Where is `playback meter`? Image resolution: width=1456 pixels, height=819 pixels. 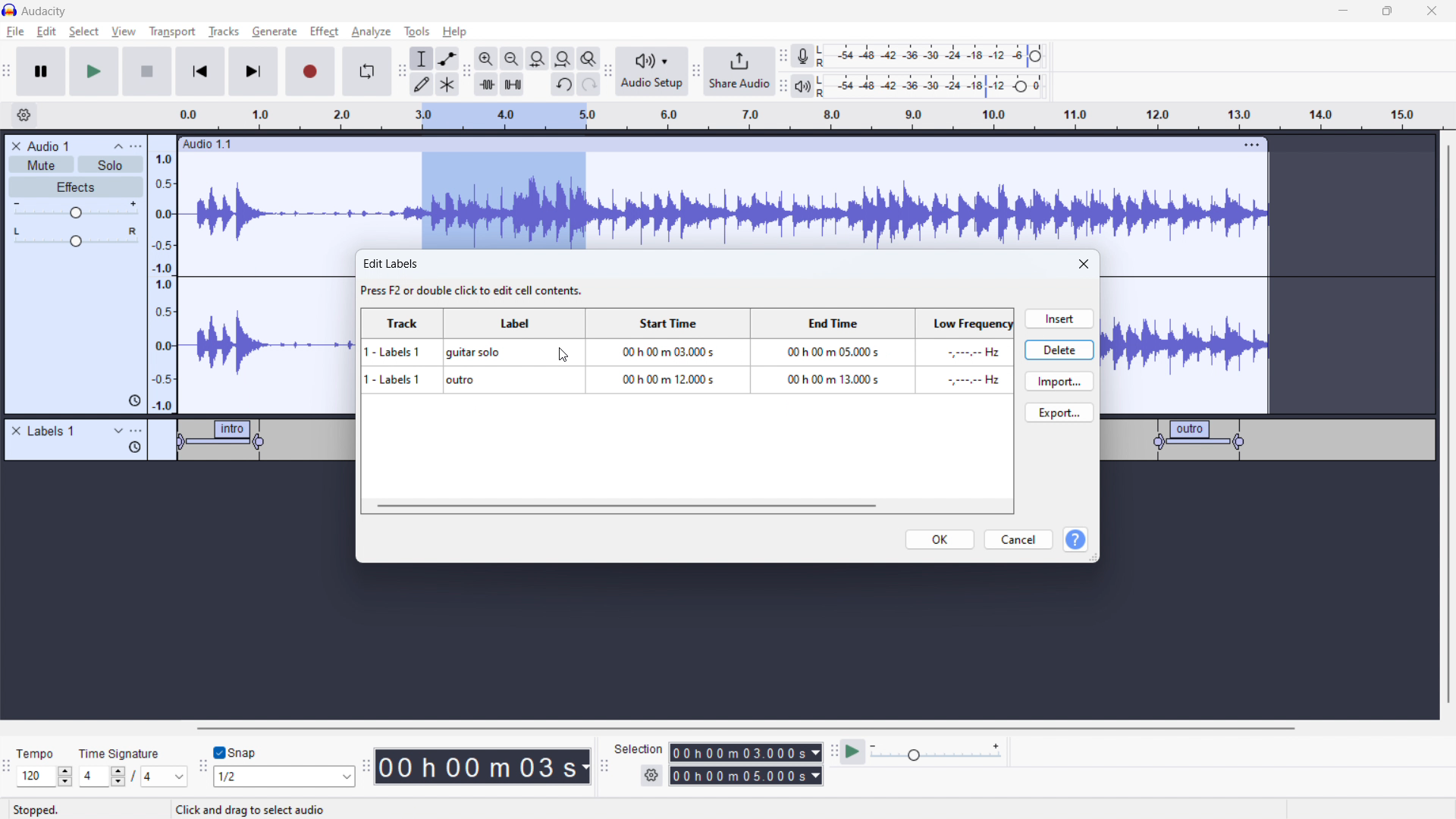 playback meter is located at coordinates (802, 87).